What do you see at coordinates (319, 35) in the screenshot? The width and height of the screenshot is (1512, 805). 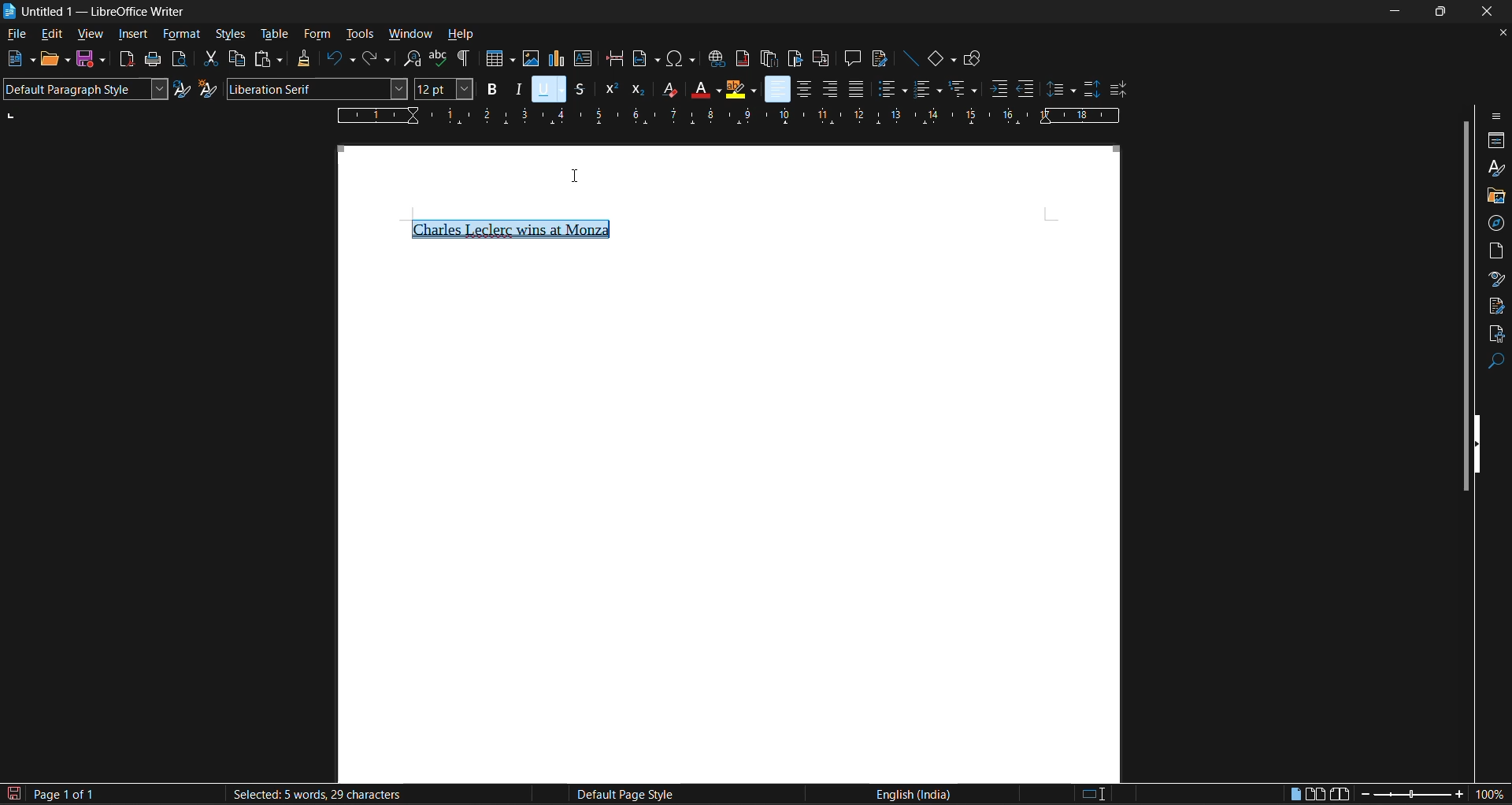 I see `form` at bounding box center [319, 35].